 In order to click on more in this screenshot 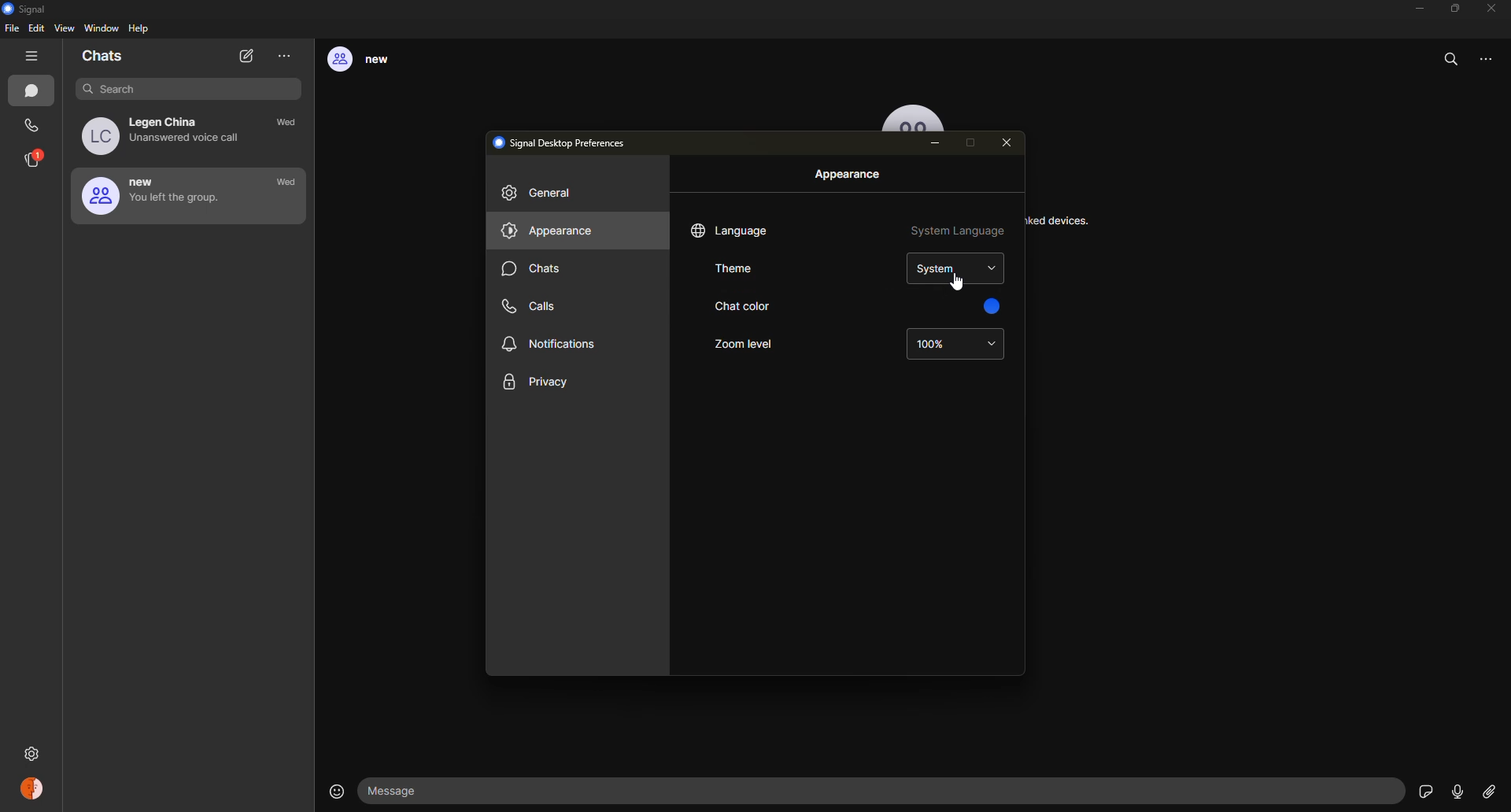, I will do `click(285, 56)`.